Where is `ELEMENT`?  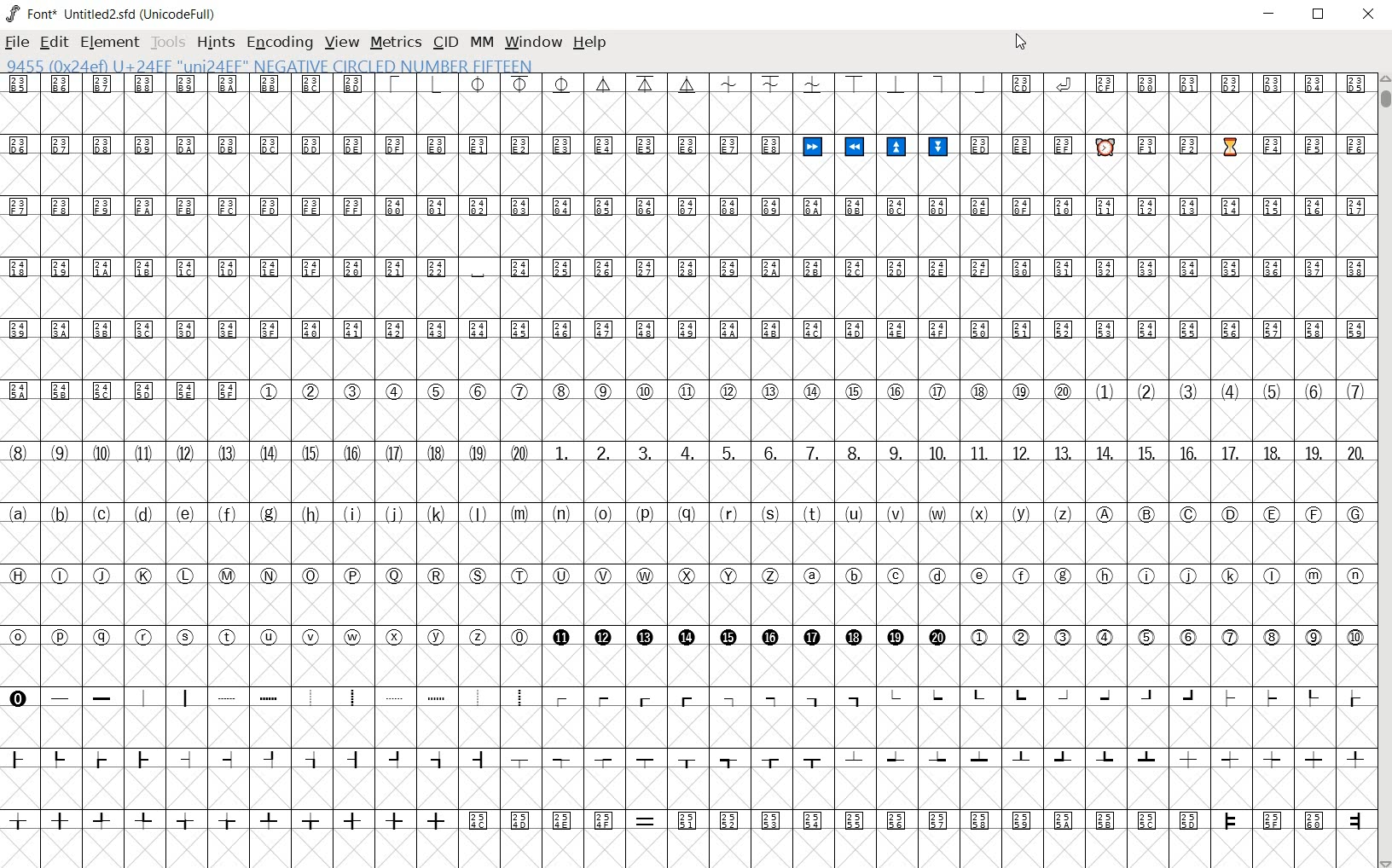 ELEMENT is located at coordinates (112, 42).